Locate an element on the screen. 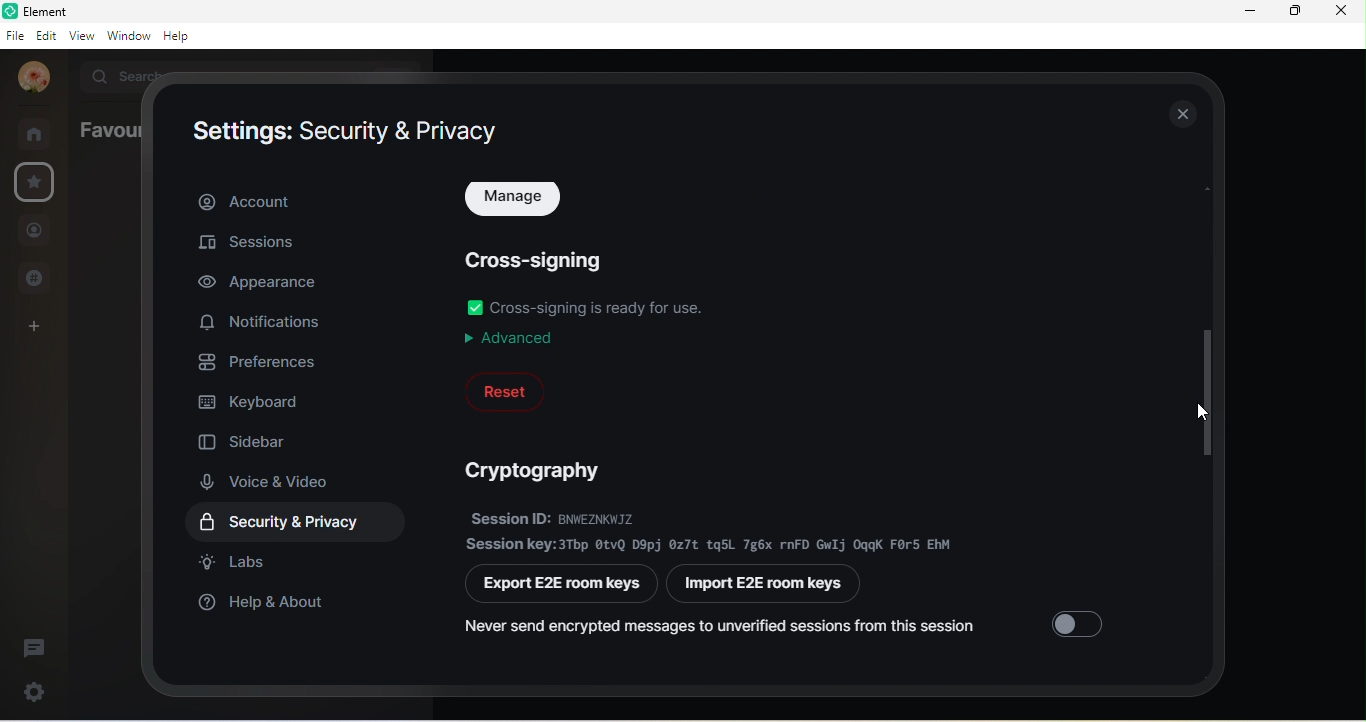  people is located at coordinates (34, 233).